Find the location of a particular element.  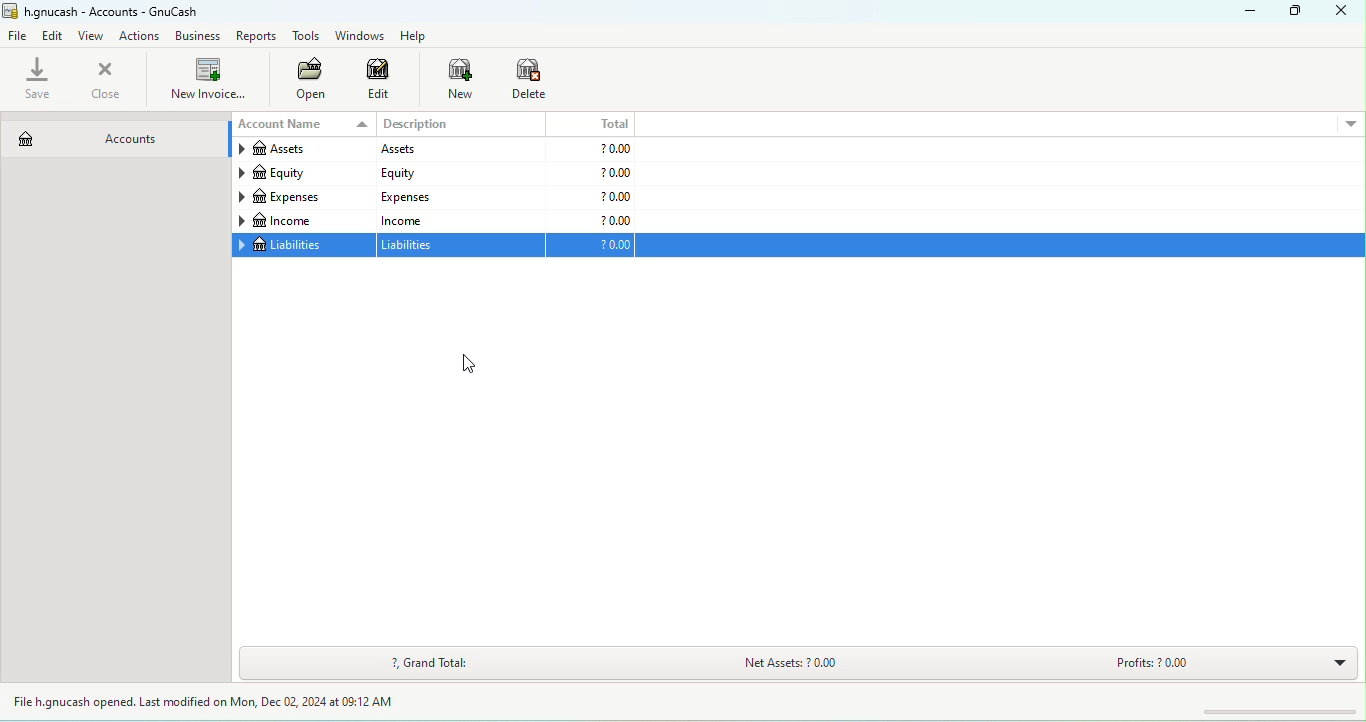

reports is located at coordinates (258, 36).